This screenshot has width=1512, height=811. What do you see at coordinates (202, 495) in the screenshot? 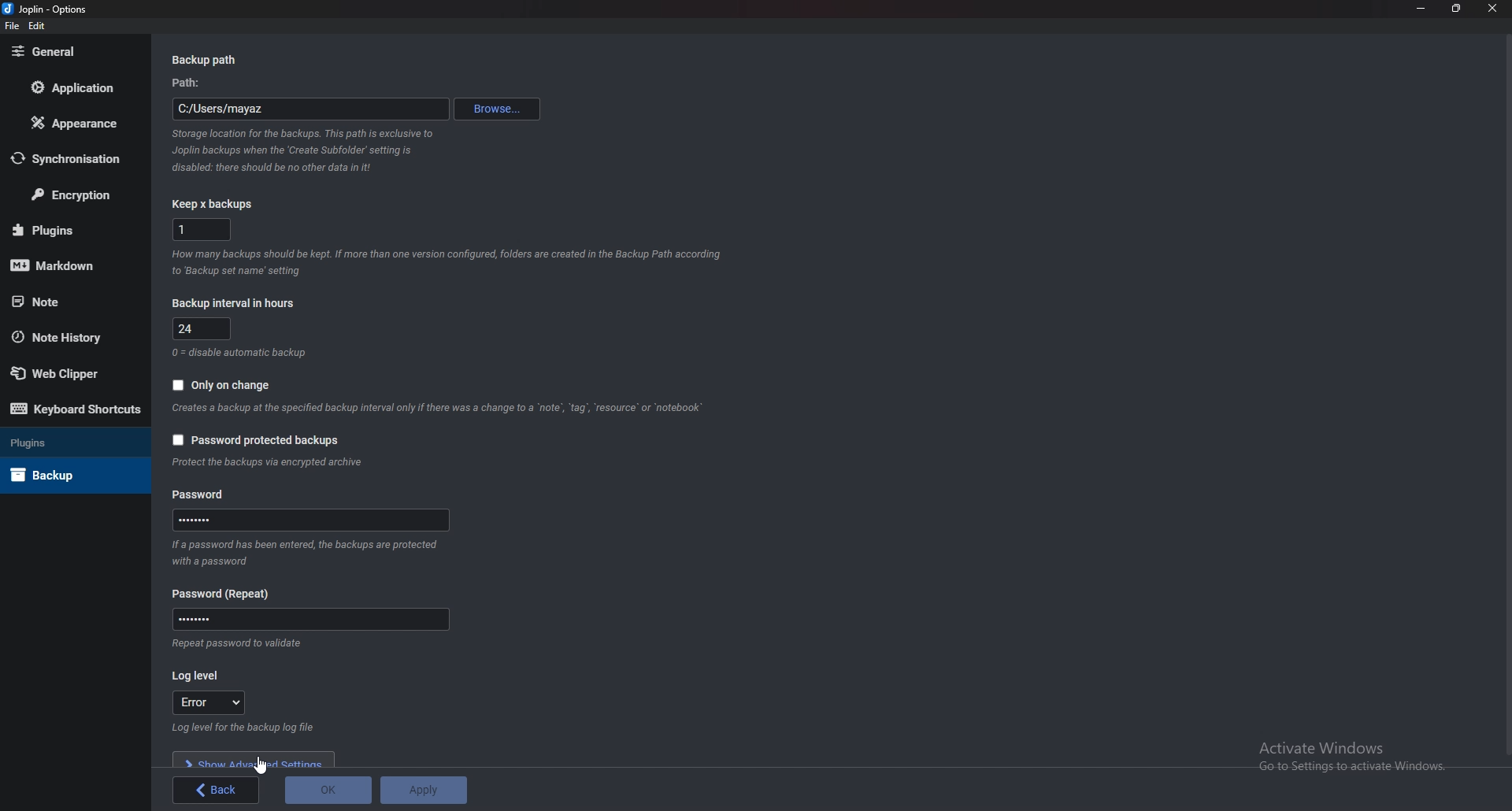
I see `Password` at bounding box center [202, 495].